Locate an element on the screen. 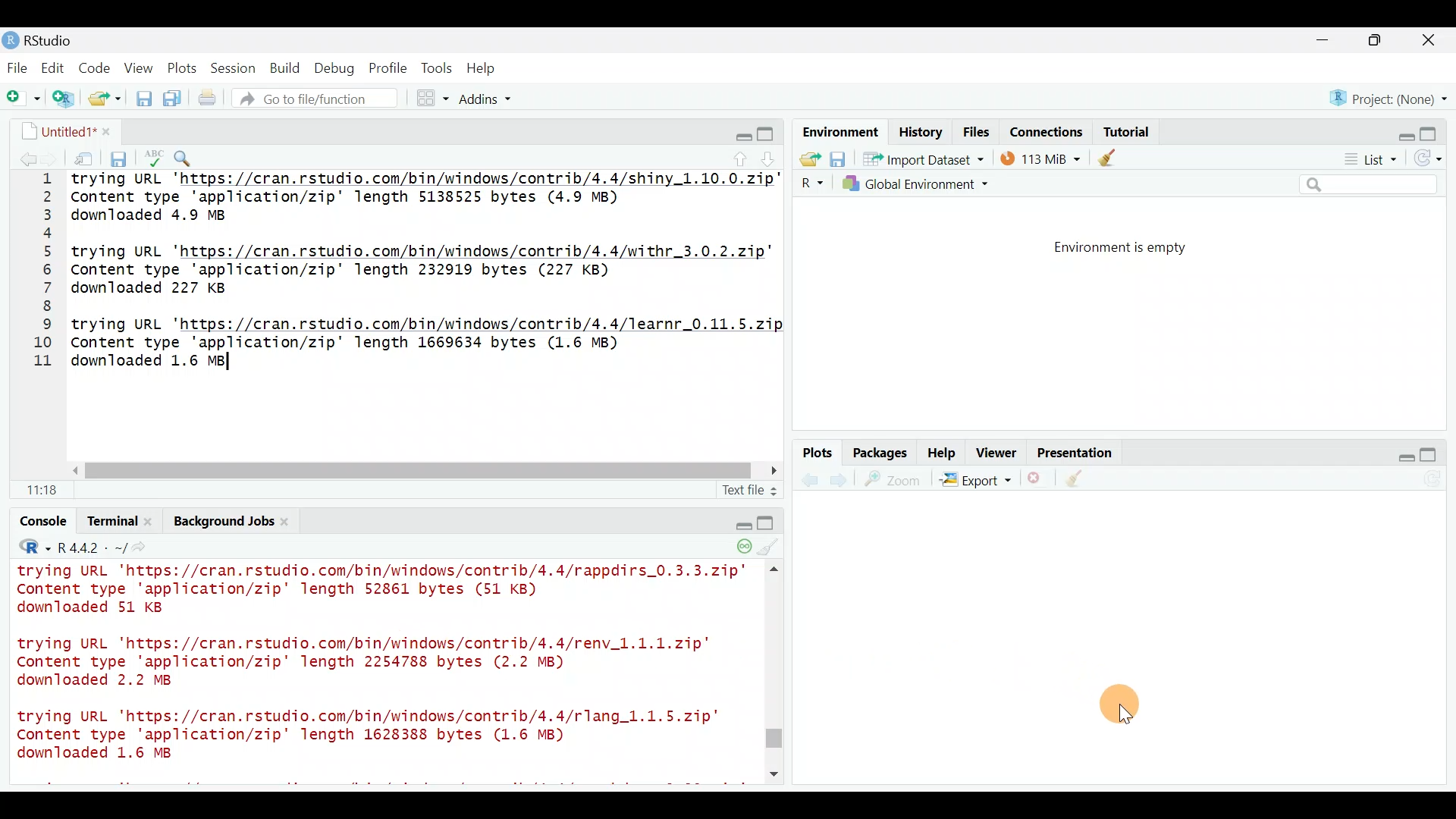 The height and width of the screenshot is (819, 1456). 3 downloaded 4.9 MB is located at coordinates (147, 215).